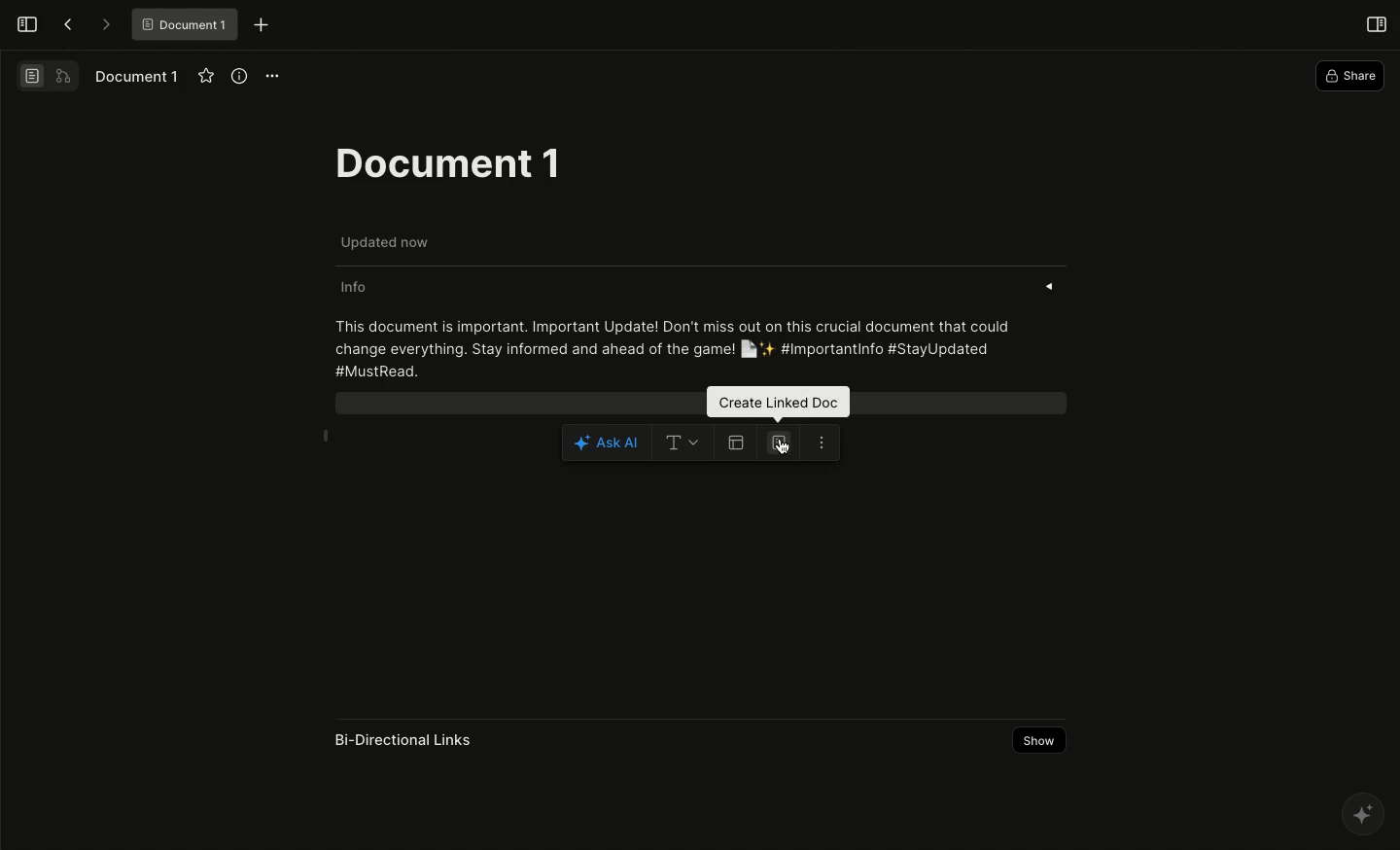  I want to click on Text options, so click(681, 443).